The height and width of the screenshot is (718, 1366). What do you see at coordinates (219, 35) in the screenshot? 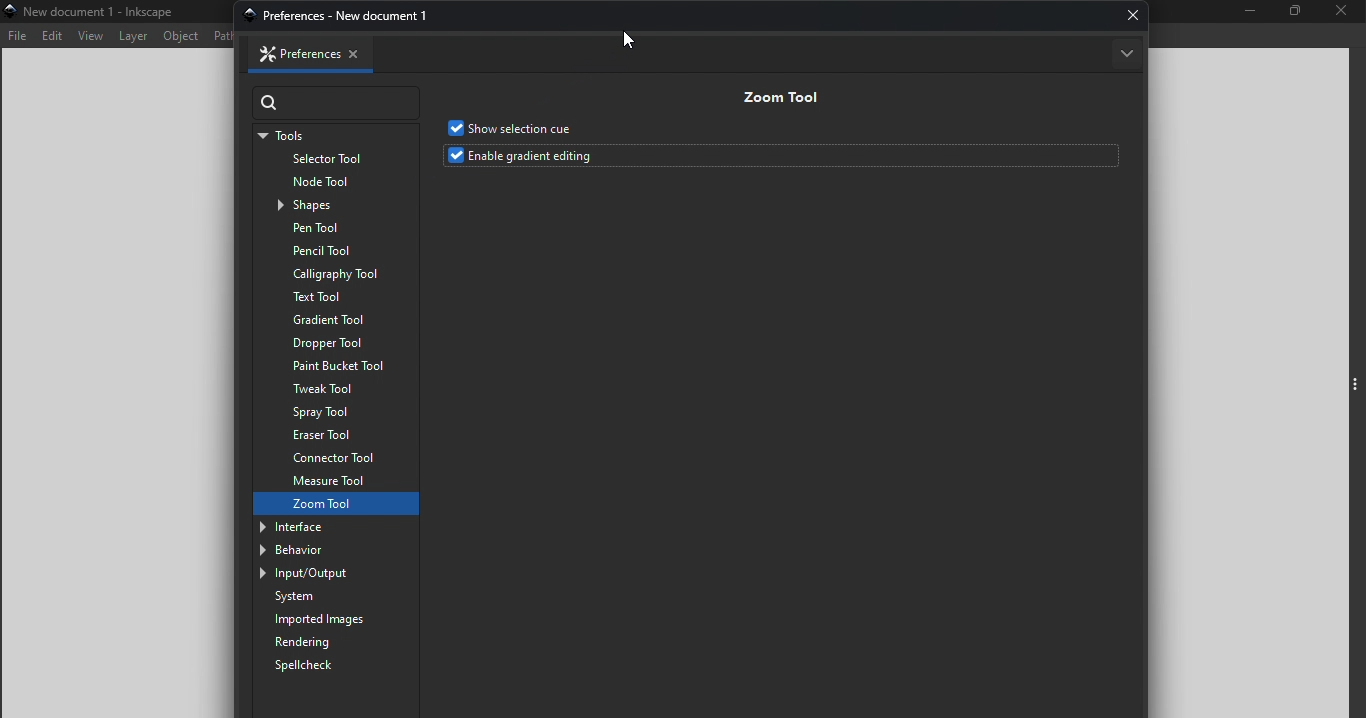
I see `Path` at bounding box center [219, 35].